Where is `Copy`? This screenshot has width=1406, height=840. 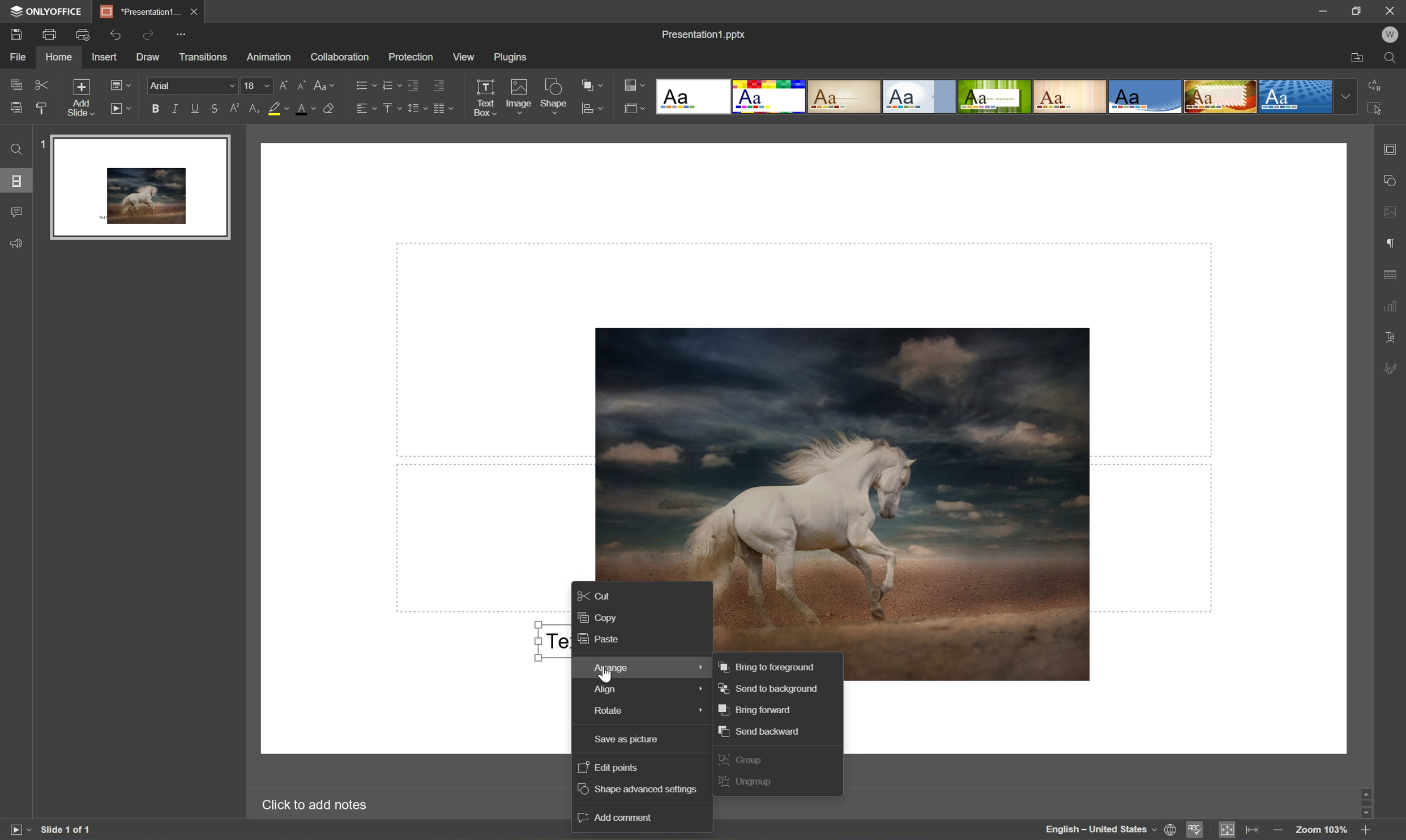 Copy is located at coordinates (17, 82).